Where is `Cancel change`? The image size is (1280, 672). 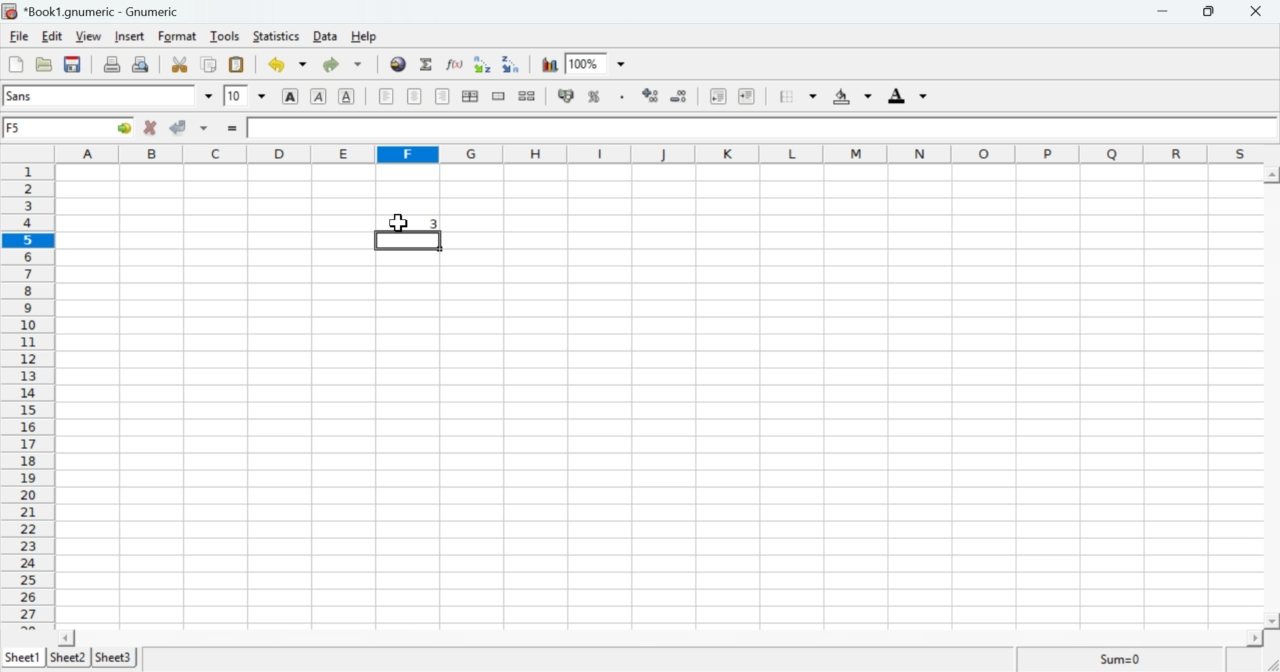
Cancel change is located at coordinates (152, 127).